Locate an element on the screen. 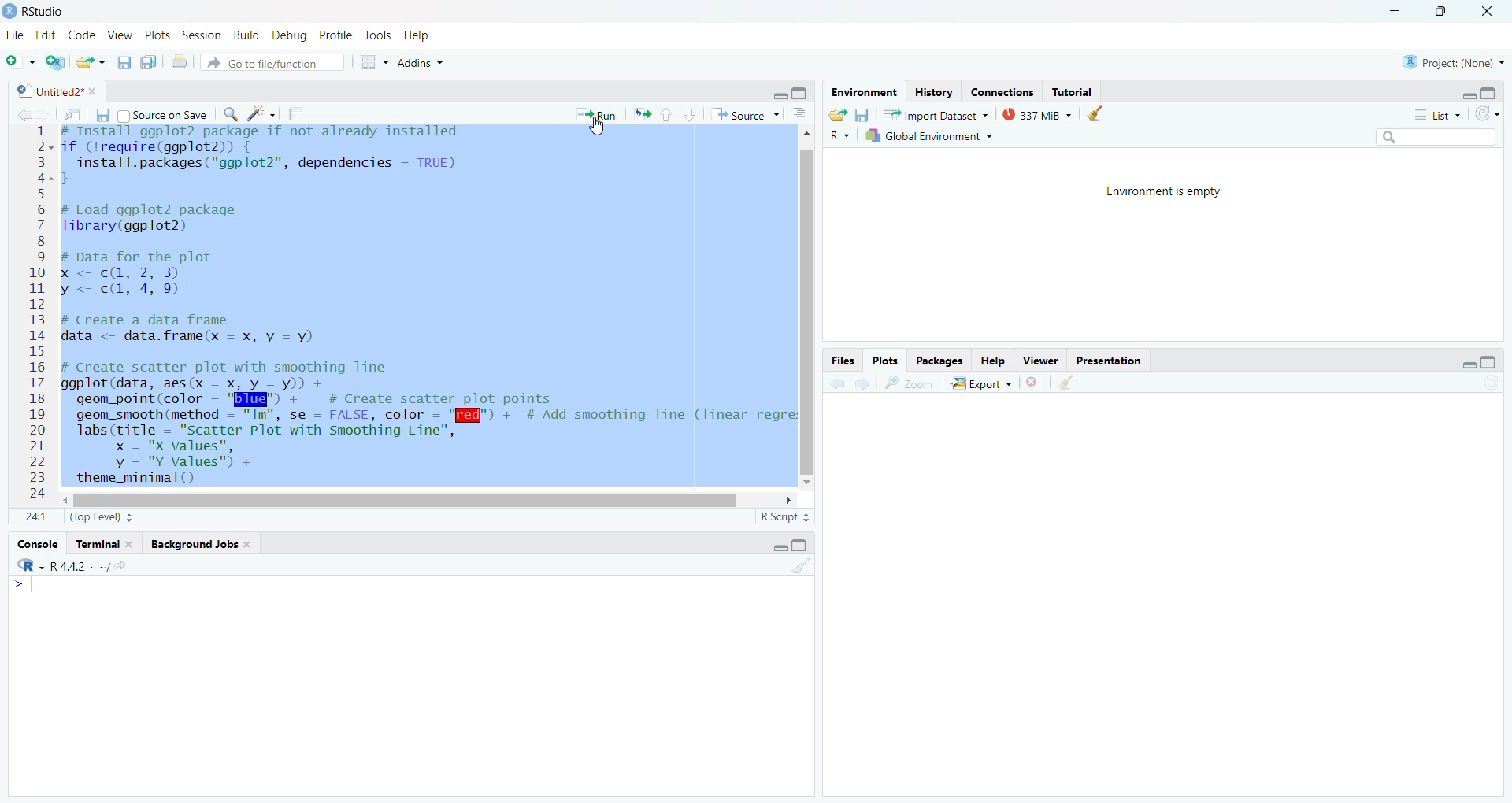 Image resolution: width=1512 pixels, height=803 pixels. Tutorial is located at coordinates (1077, 92).